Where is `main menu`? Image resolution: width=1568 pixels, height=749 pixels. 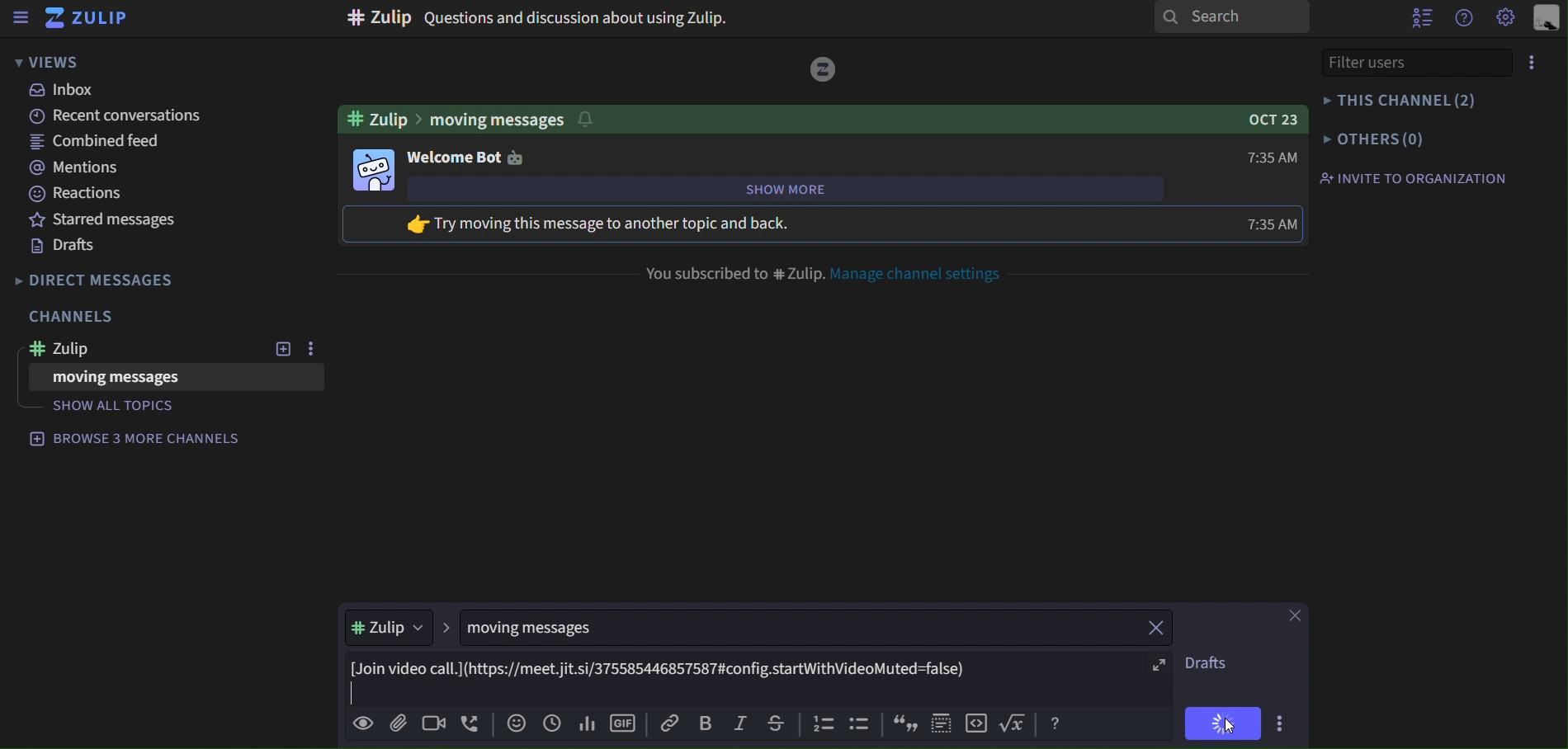
main menu is located at coordinates (1507, 18).